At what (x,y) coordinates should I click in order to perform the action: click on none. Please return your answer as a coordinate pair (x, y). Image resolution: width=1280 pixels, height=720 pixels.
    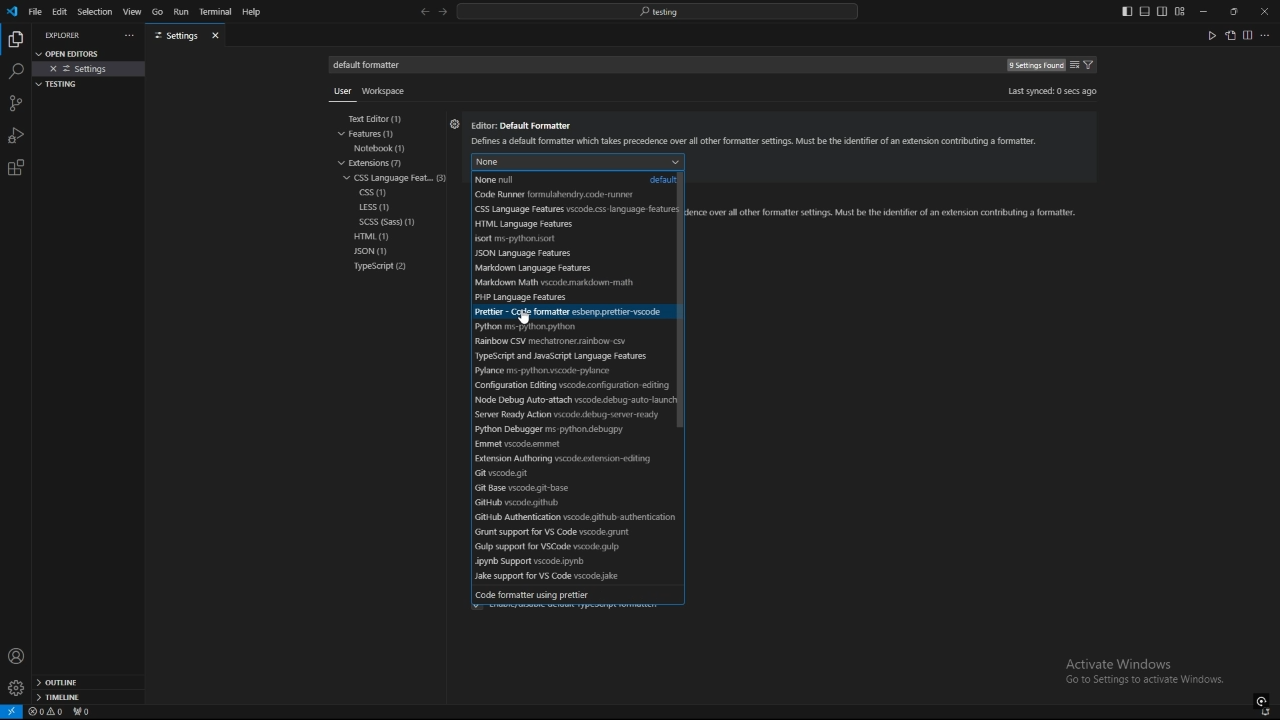
    Looking at the image, I should click on (723, 161).